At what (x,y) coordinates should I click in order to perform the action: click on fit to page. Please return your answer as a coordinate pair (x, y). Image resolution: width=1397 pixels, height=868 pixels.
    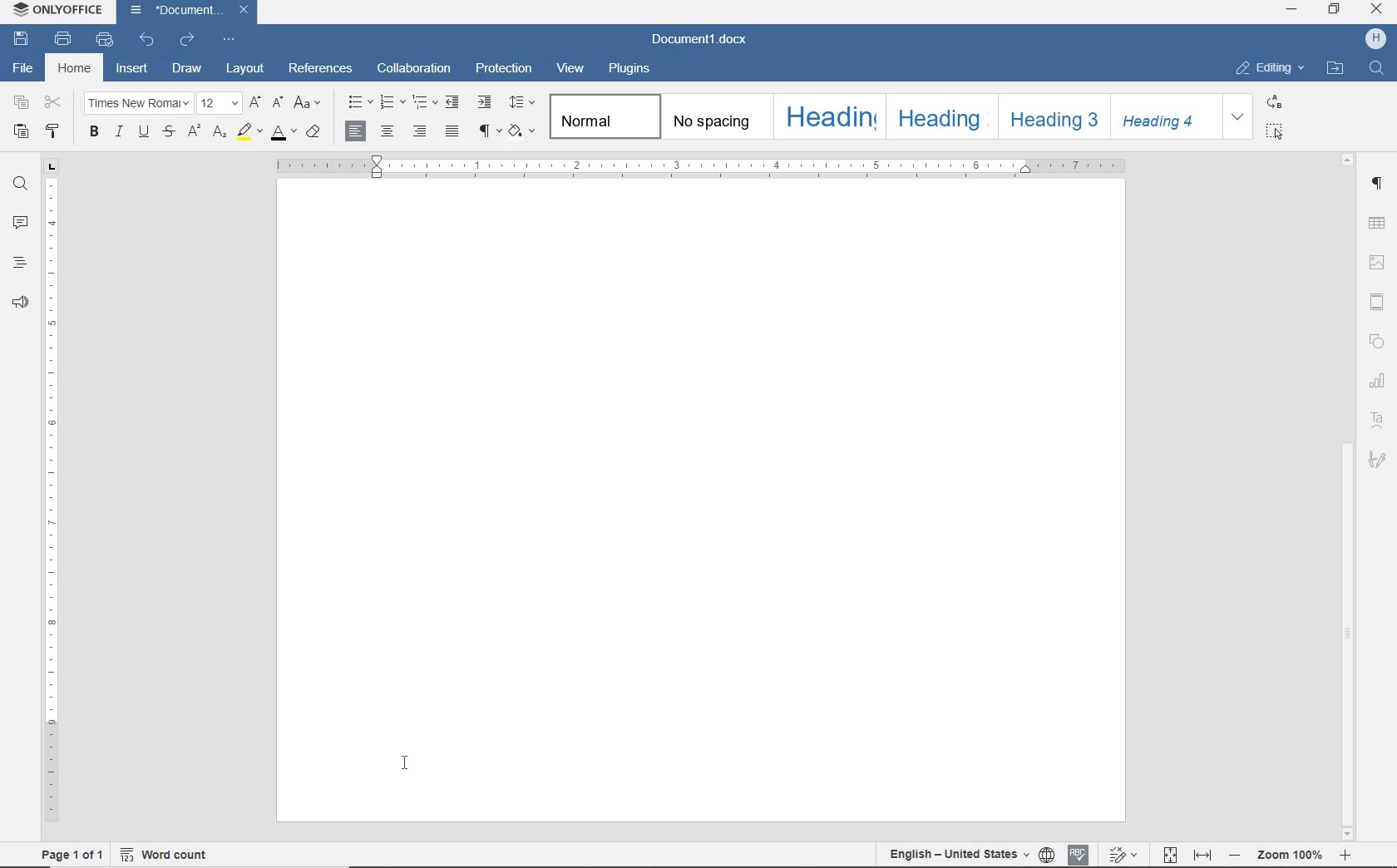
    Looking at the image, I should click on (1169, 854).